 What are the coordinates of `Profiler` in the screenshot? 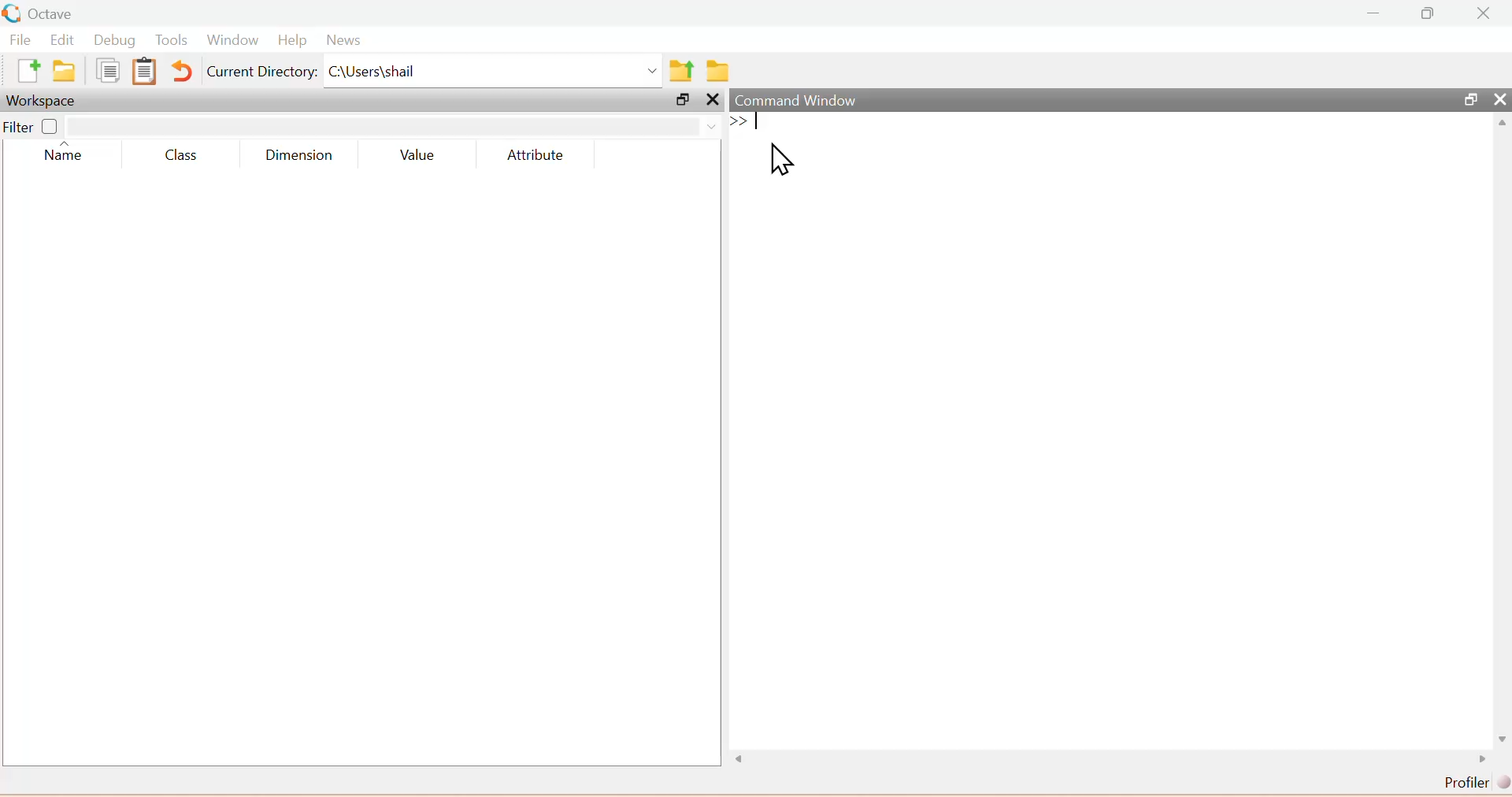 It's located at (1473, 783).